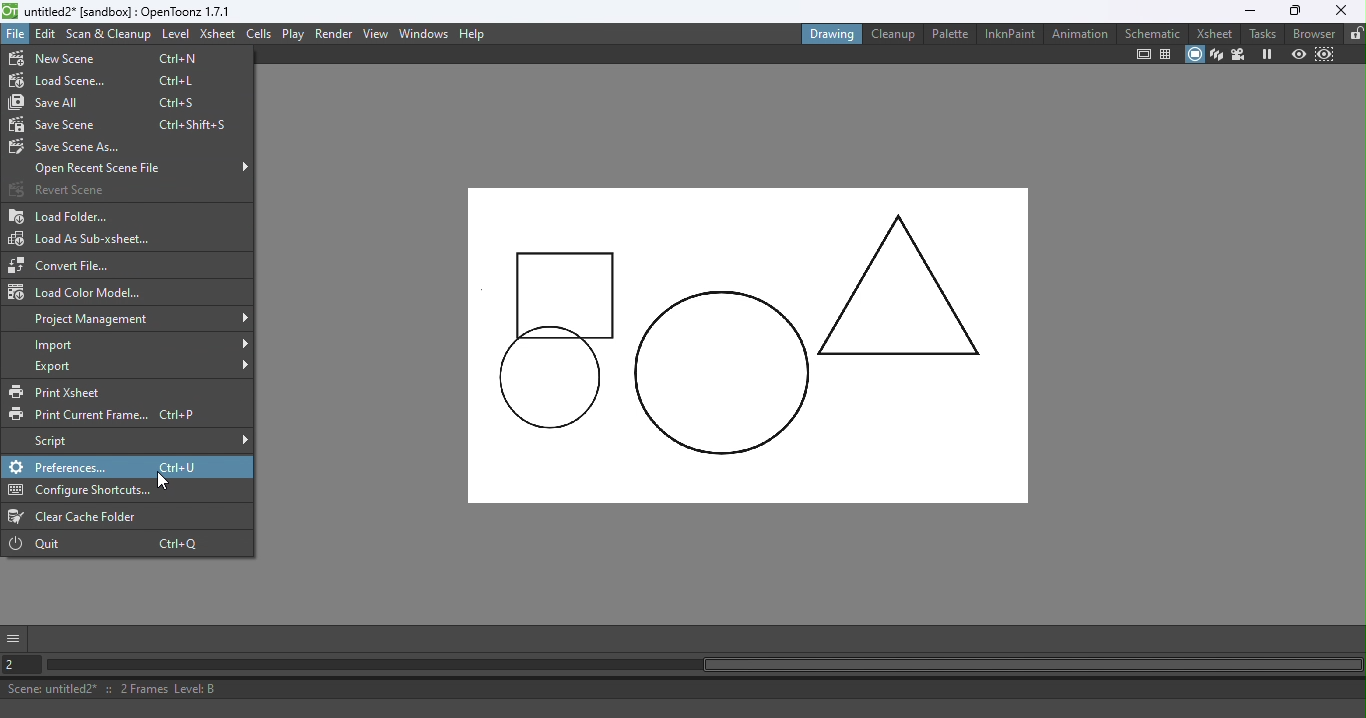  Describe the element at coordinates (1345, 12) in the screenshot. I see `Close` at that location.